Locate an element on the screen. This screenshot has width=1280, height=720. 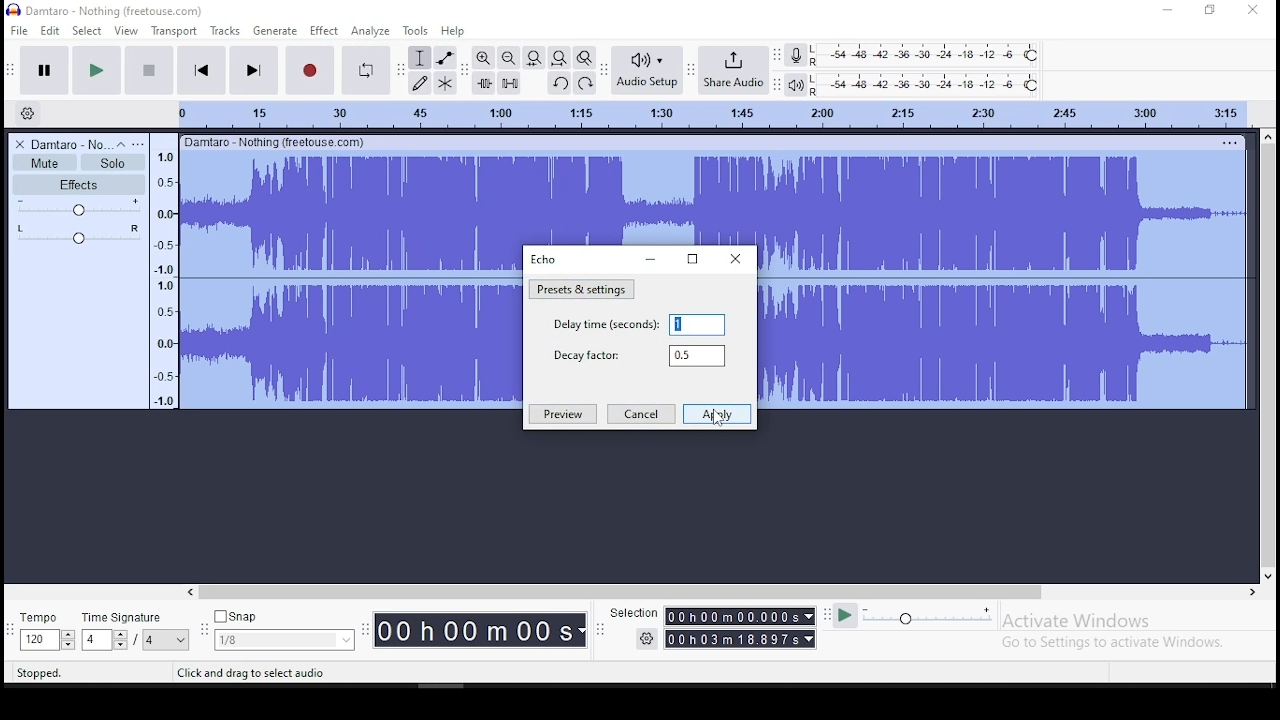
volume is located at coordinates (79, 207).